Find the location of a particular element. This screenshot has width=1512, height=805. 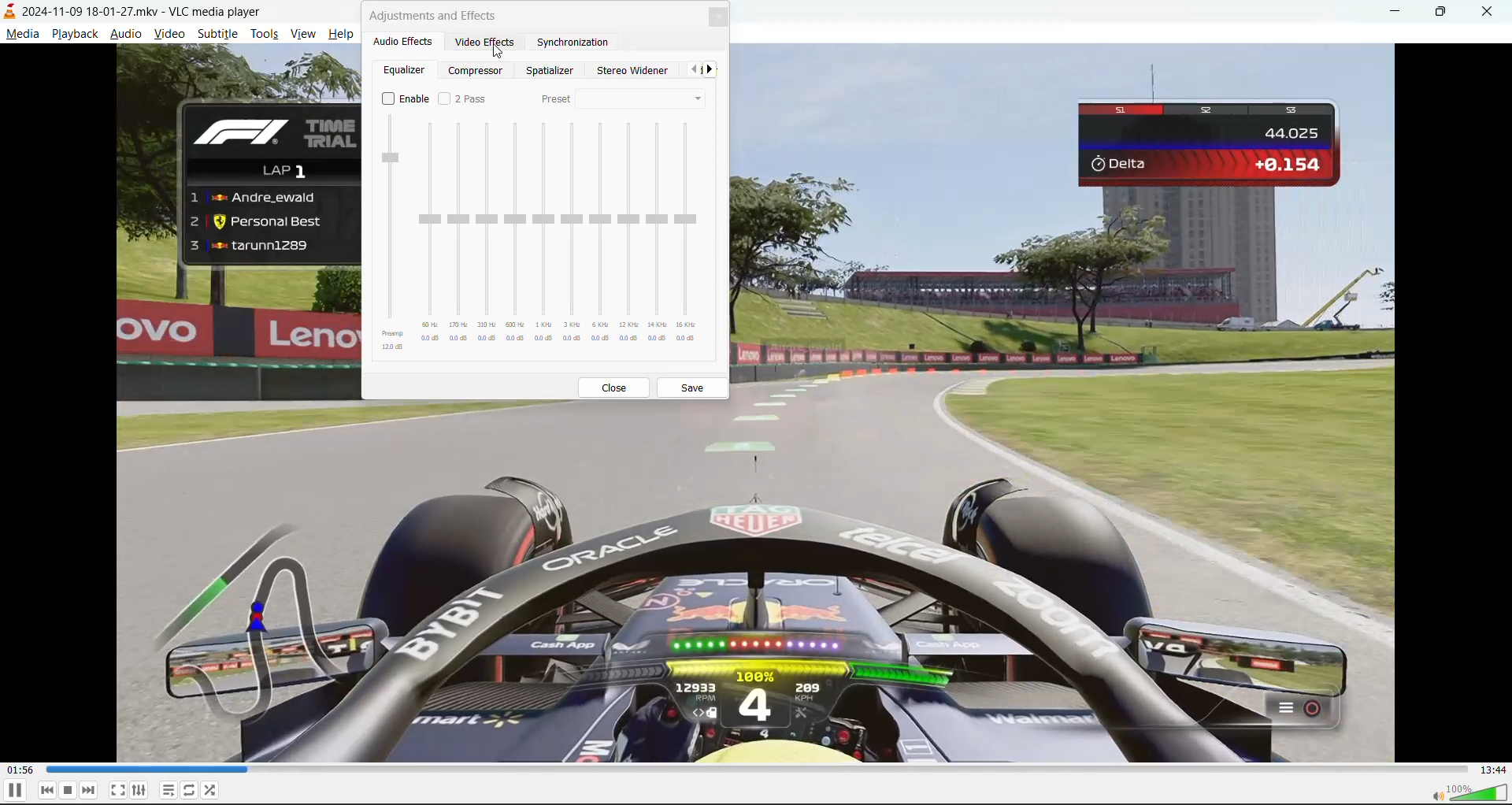

previous is located at coordinates (48, 790).